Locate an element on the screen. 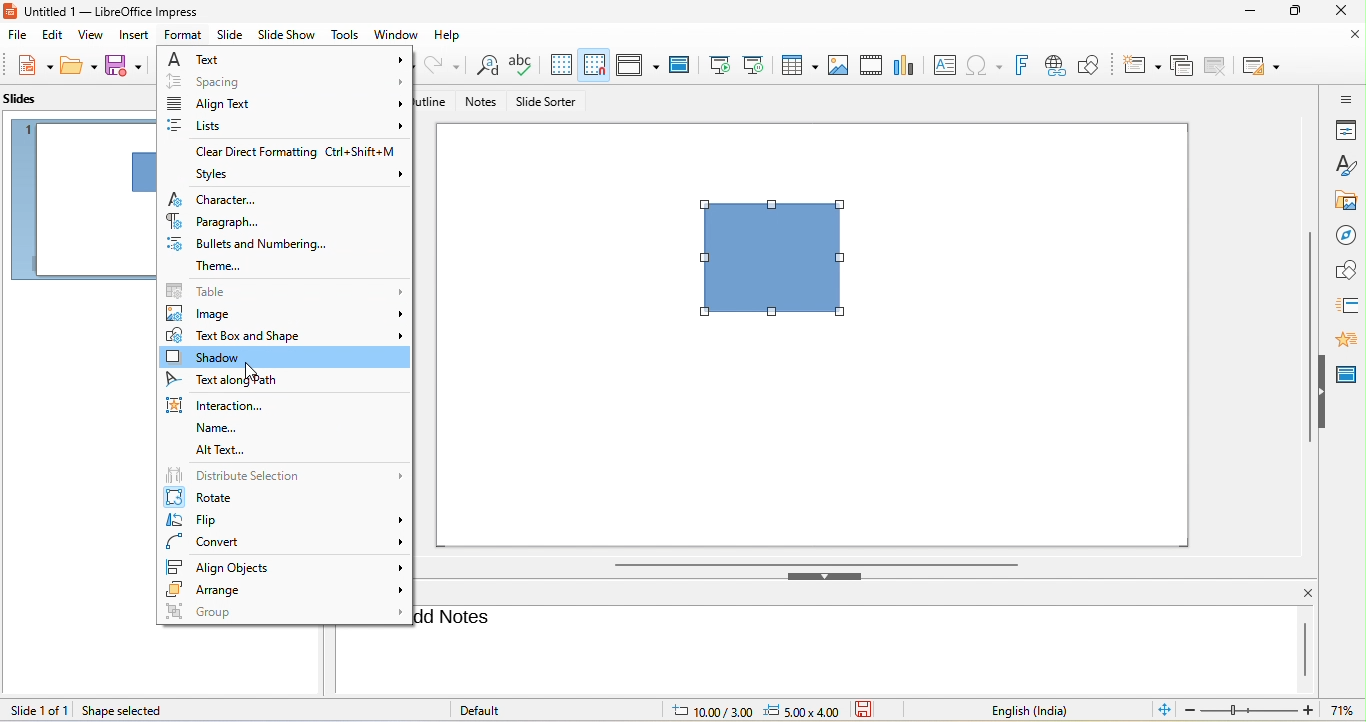 This screenshot has width=1366, height=722. text box is located at coordinates (946, 64).